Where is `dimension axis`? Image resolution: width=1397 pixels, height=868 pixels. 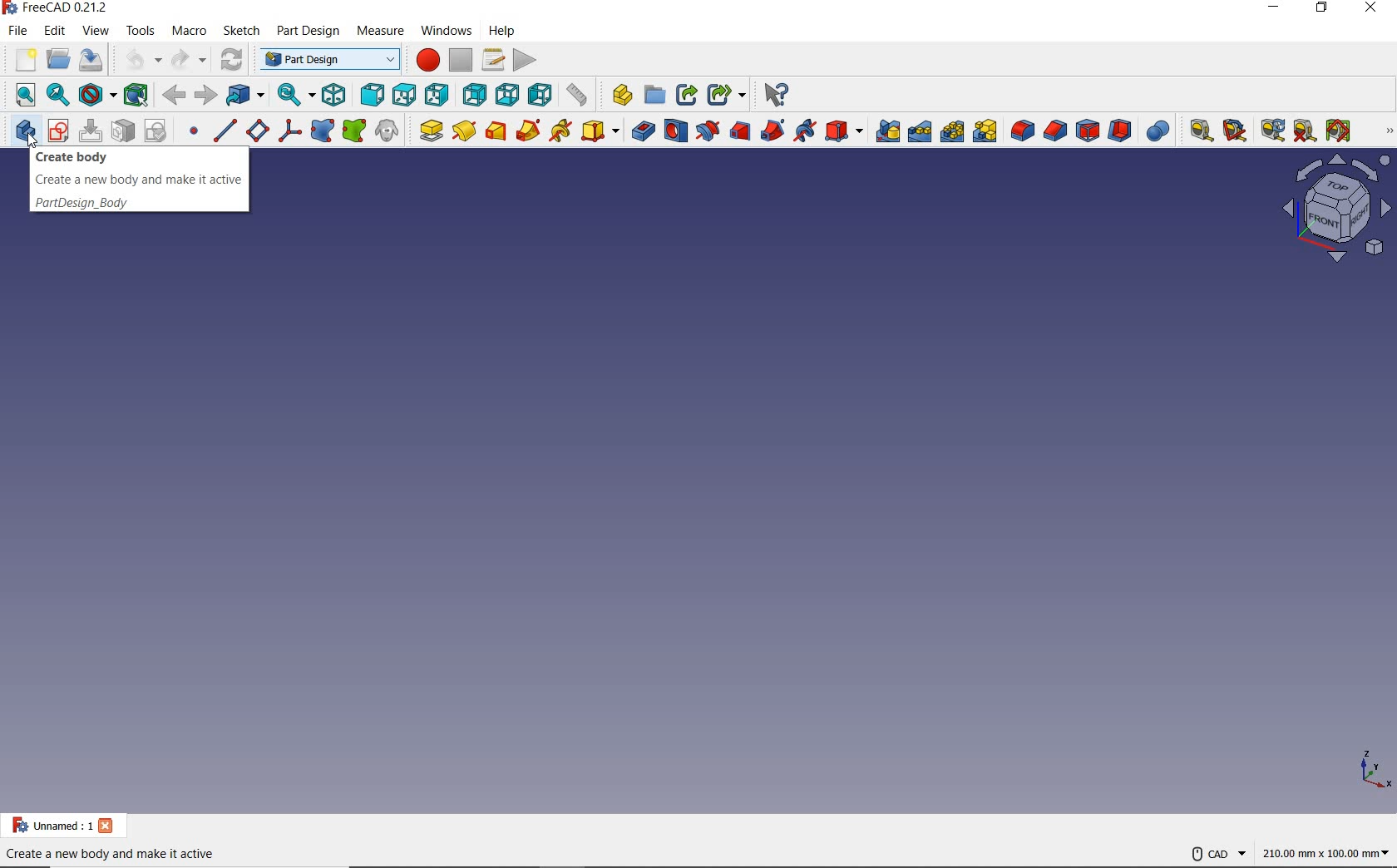
dimension axis is located at coordinates (1371, 768).